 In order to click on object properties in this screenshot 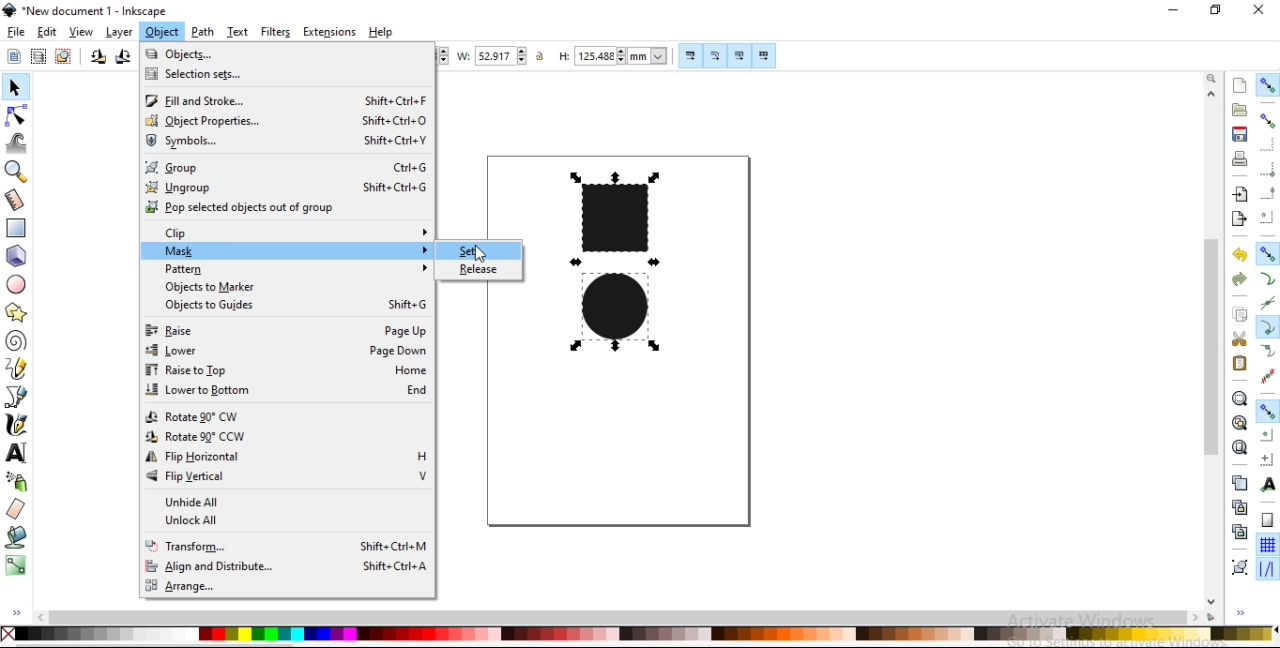, I will do `click(285, 124)`.